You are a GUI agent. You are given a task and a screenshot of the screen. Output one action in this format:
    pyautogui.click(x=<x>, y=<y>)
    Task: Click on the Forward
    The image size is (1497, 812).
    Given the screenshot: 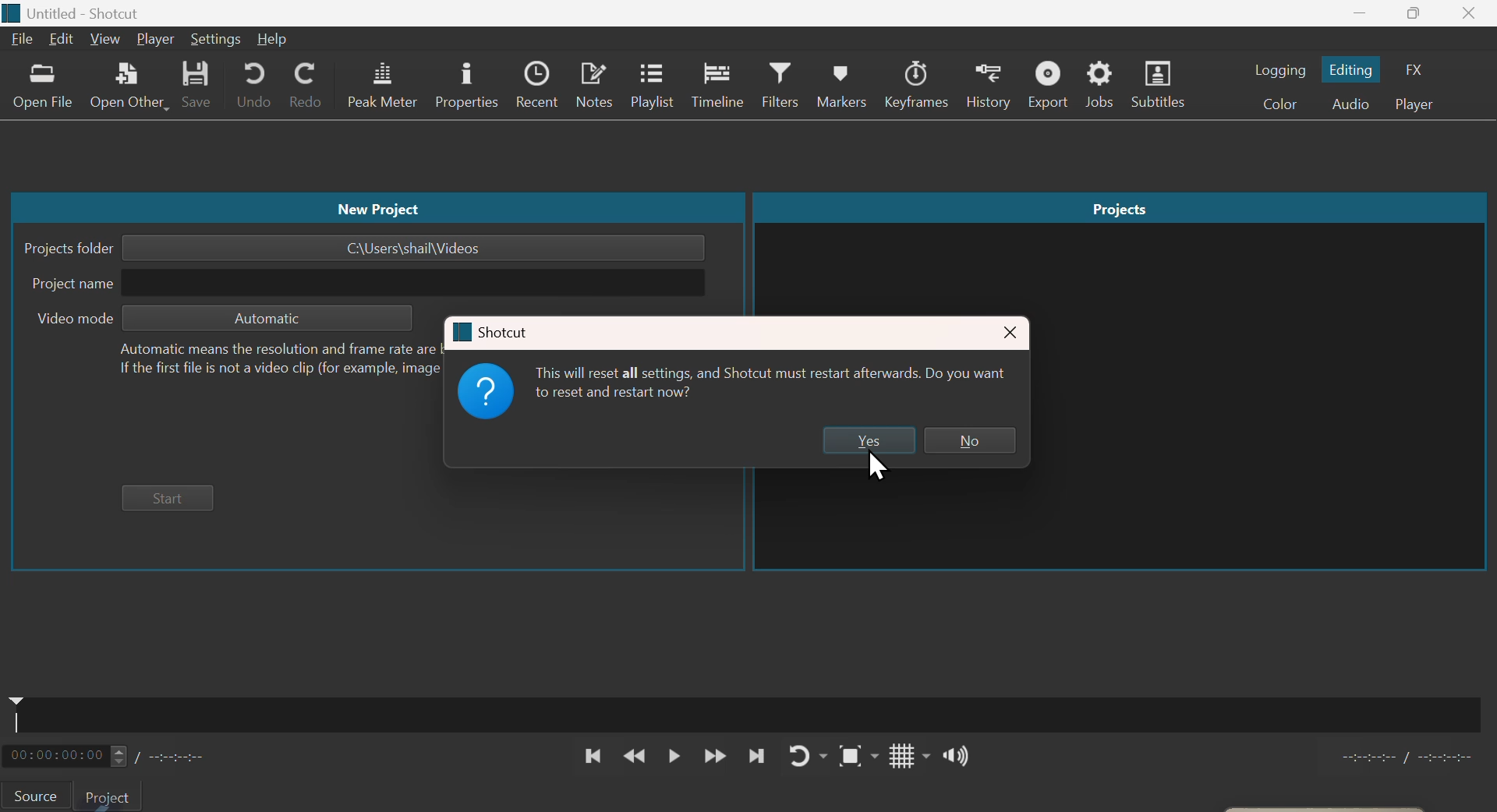 What is the action you would take?
    pyautogui.click(x=714, y=757)
    